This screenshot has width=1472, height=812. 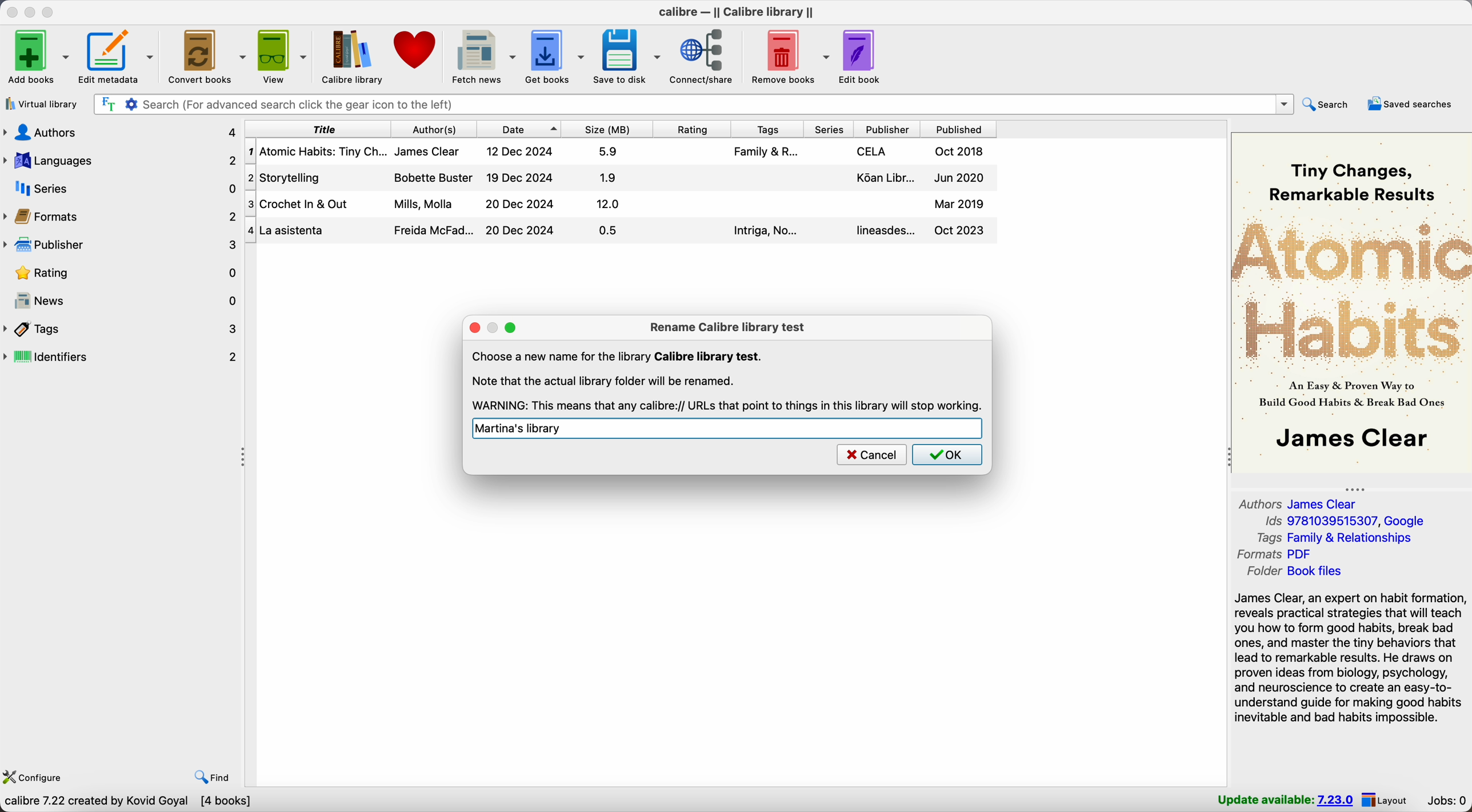 What do you see at coordinates (829, 130) in the screenshot?
I see `series` at bounding box center [829, 130].